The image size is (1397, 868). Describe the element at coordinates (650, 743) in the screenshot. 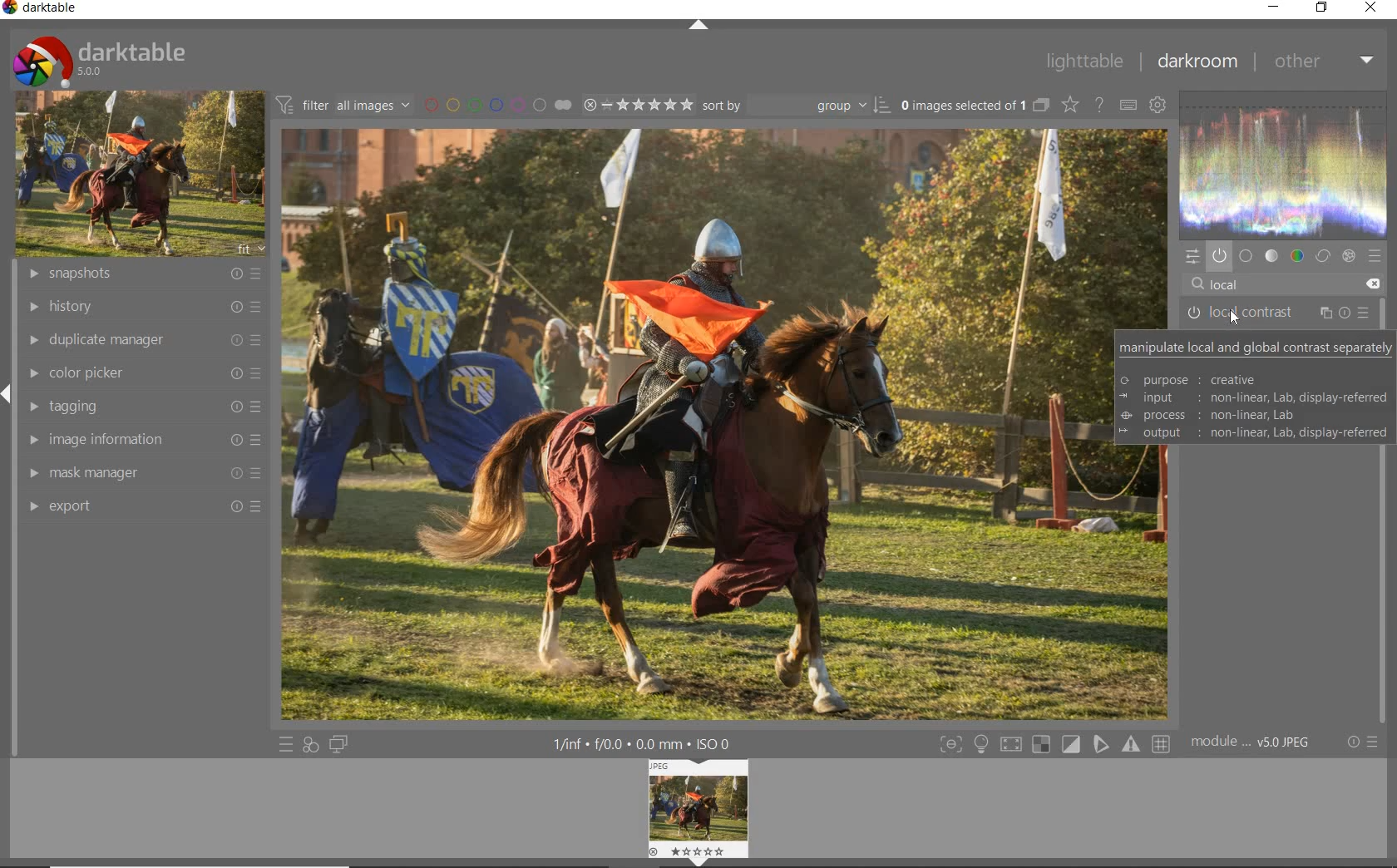

I see `display information` at that location.